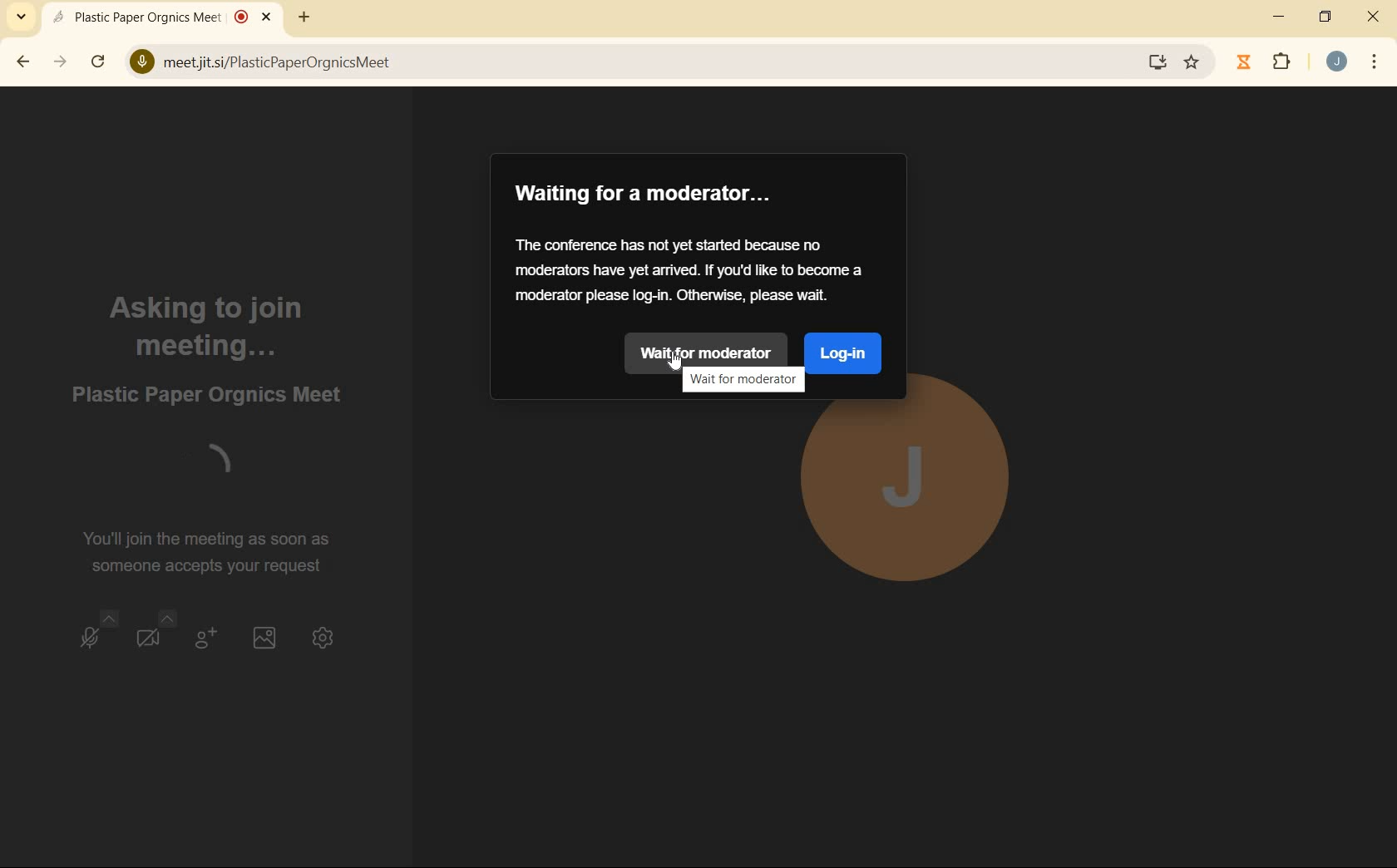 This screenshot has height=868, width=1397. I want to click on account, so click(1336, 62).